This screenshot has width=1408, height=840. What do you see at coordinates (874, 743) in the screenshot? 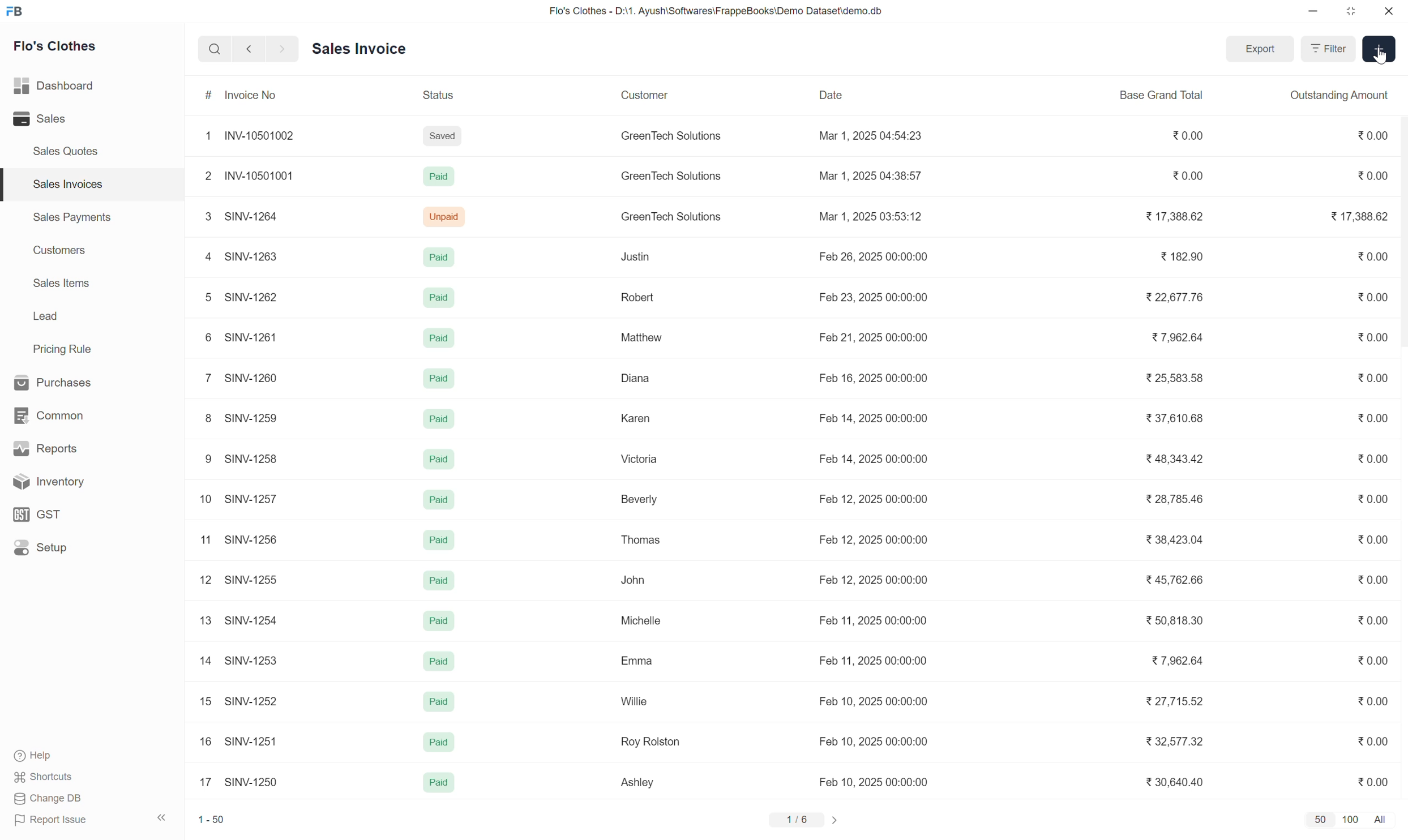
I see `Feb 10, 2025 00:00:00` at bounding box center [874, 743].